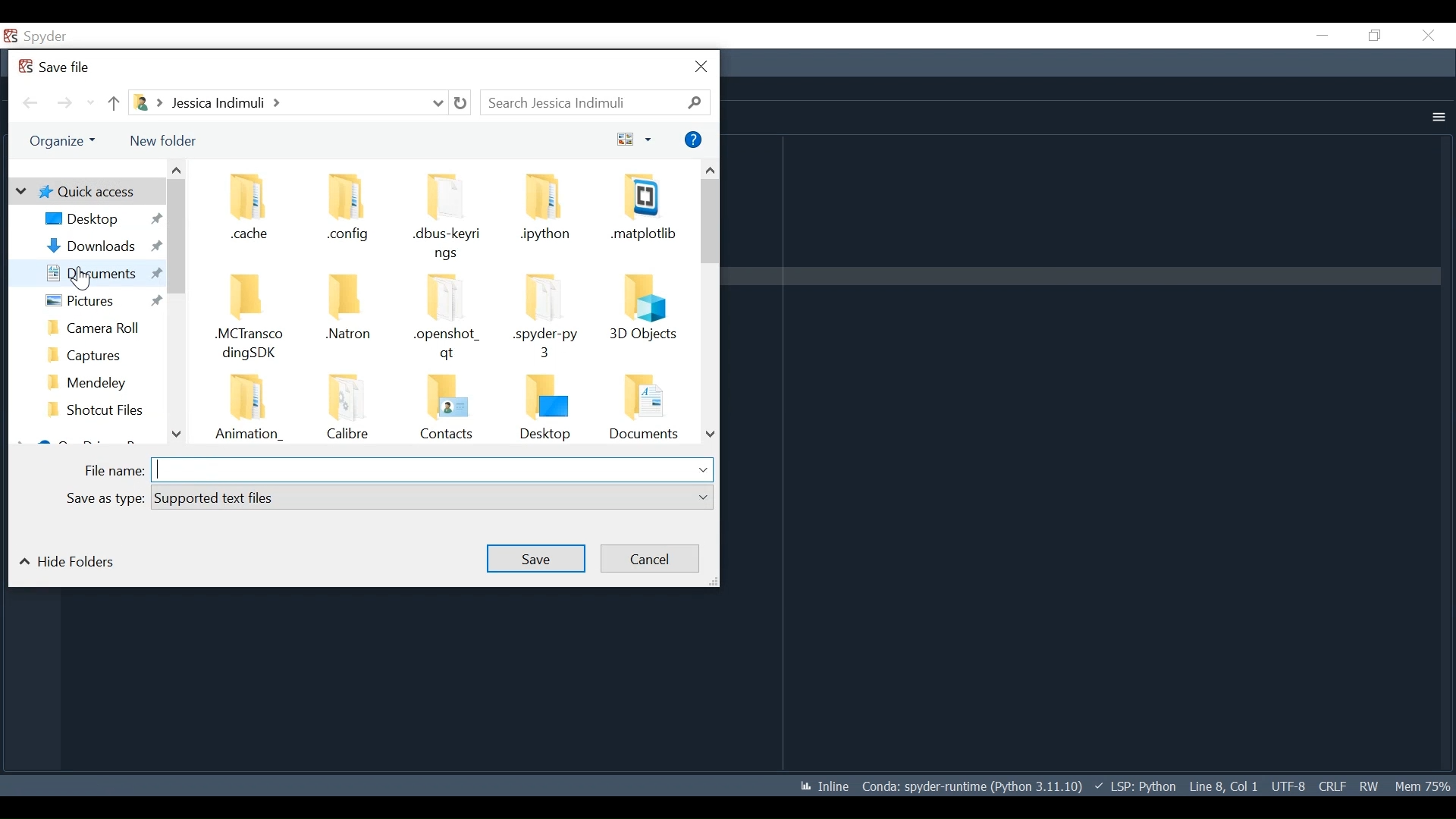  I want to click on Folder, so click(344, 318).